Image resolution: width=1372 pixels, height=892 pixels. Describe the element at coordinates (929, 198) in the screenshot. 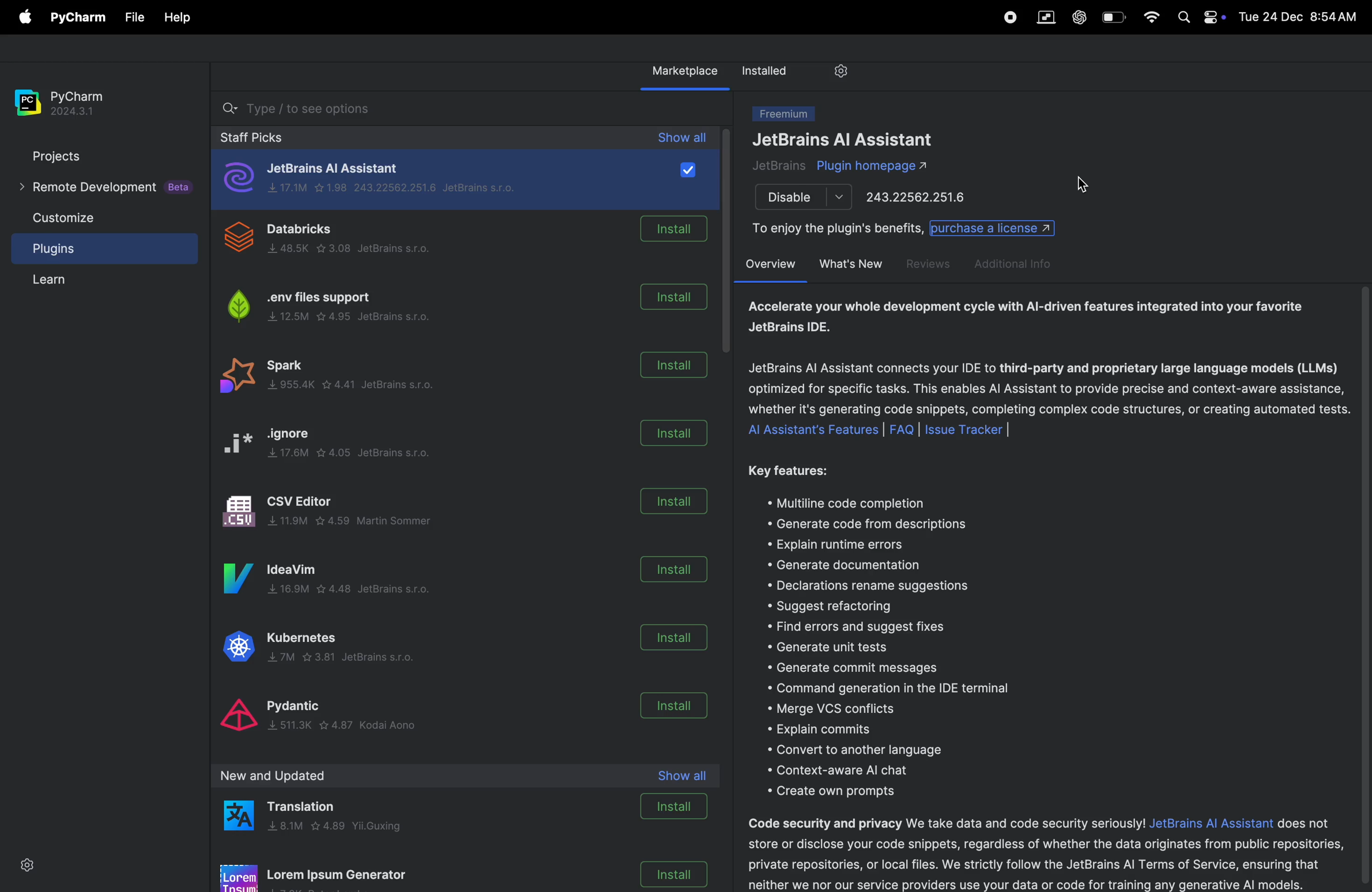

I see `port` at that location.